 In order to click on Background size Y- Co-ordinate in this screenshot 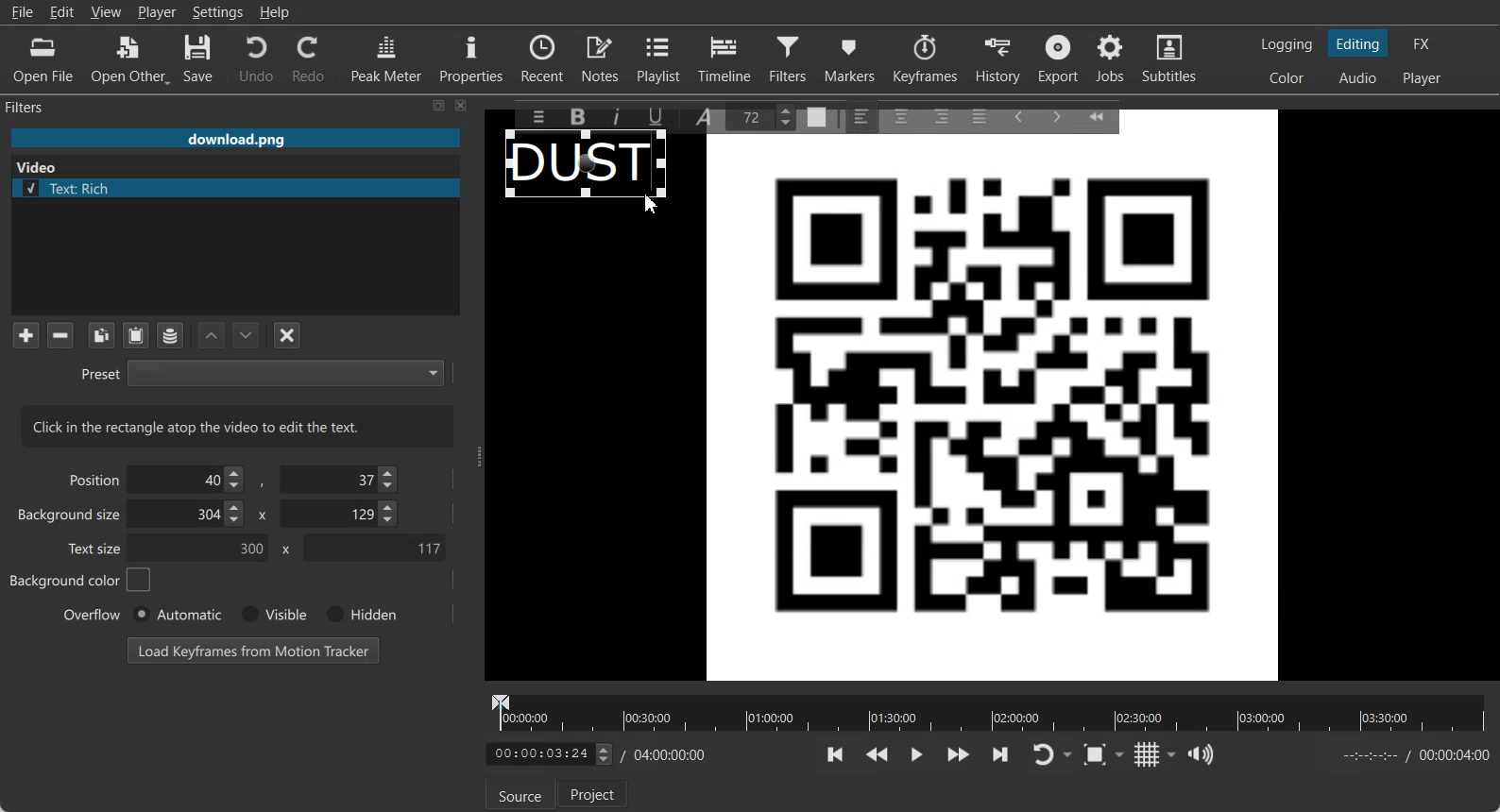, I will do `click(341, 516)`.